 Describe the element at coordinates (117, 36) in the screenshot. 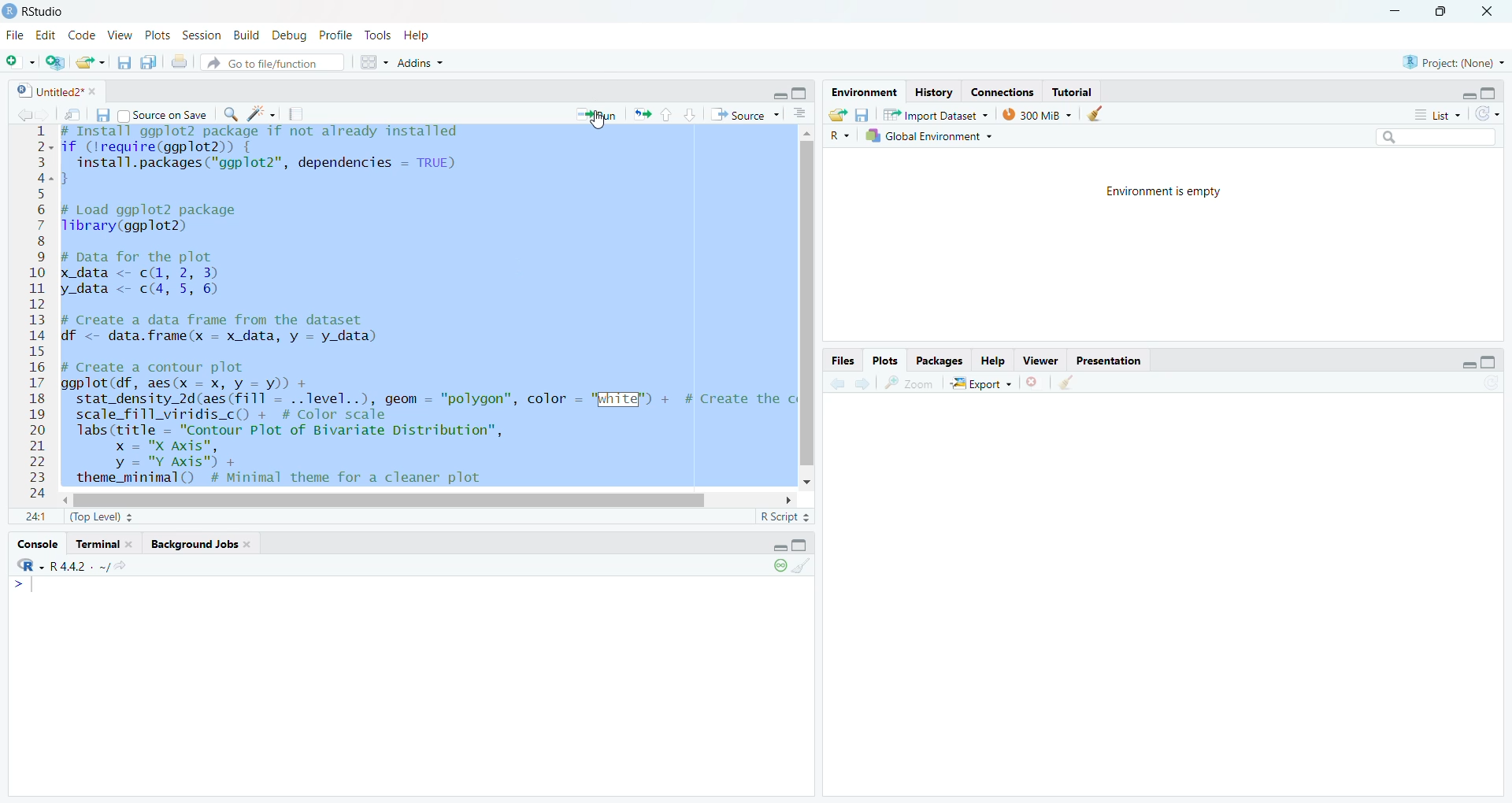

I see `View` at that location.